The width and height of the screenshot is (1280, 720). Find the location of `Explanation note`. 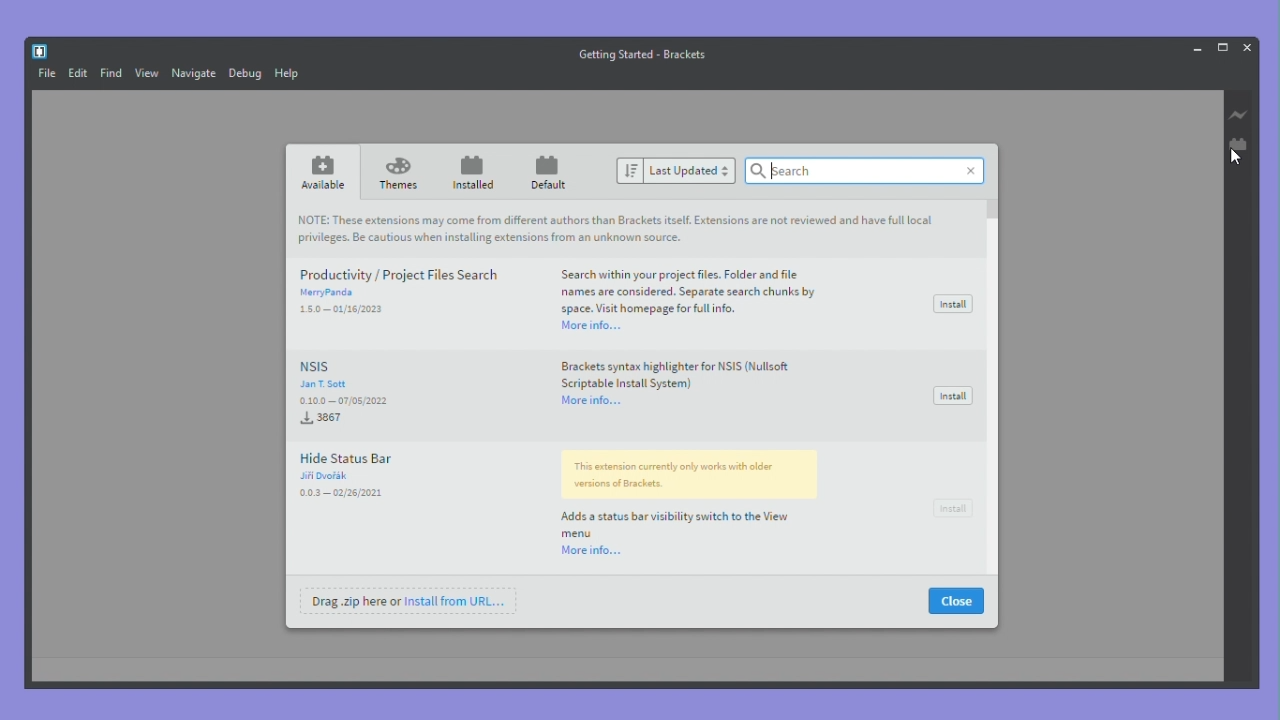

Explanation note is located at coordinates (634, 226).